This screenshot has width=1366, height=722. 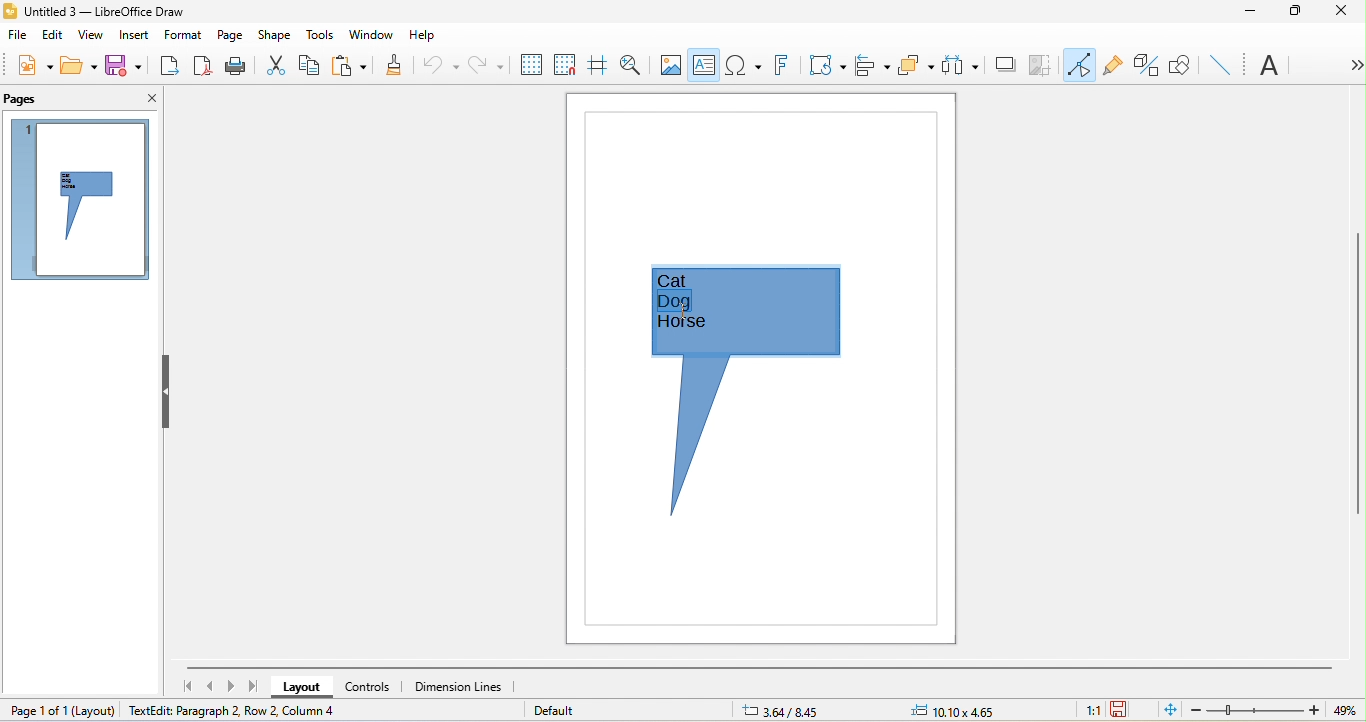 What do you see at coordinates (234, 685) in the screenshot?
I see `next page` at bounding box center [234, 685].